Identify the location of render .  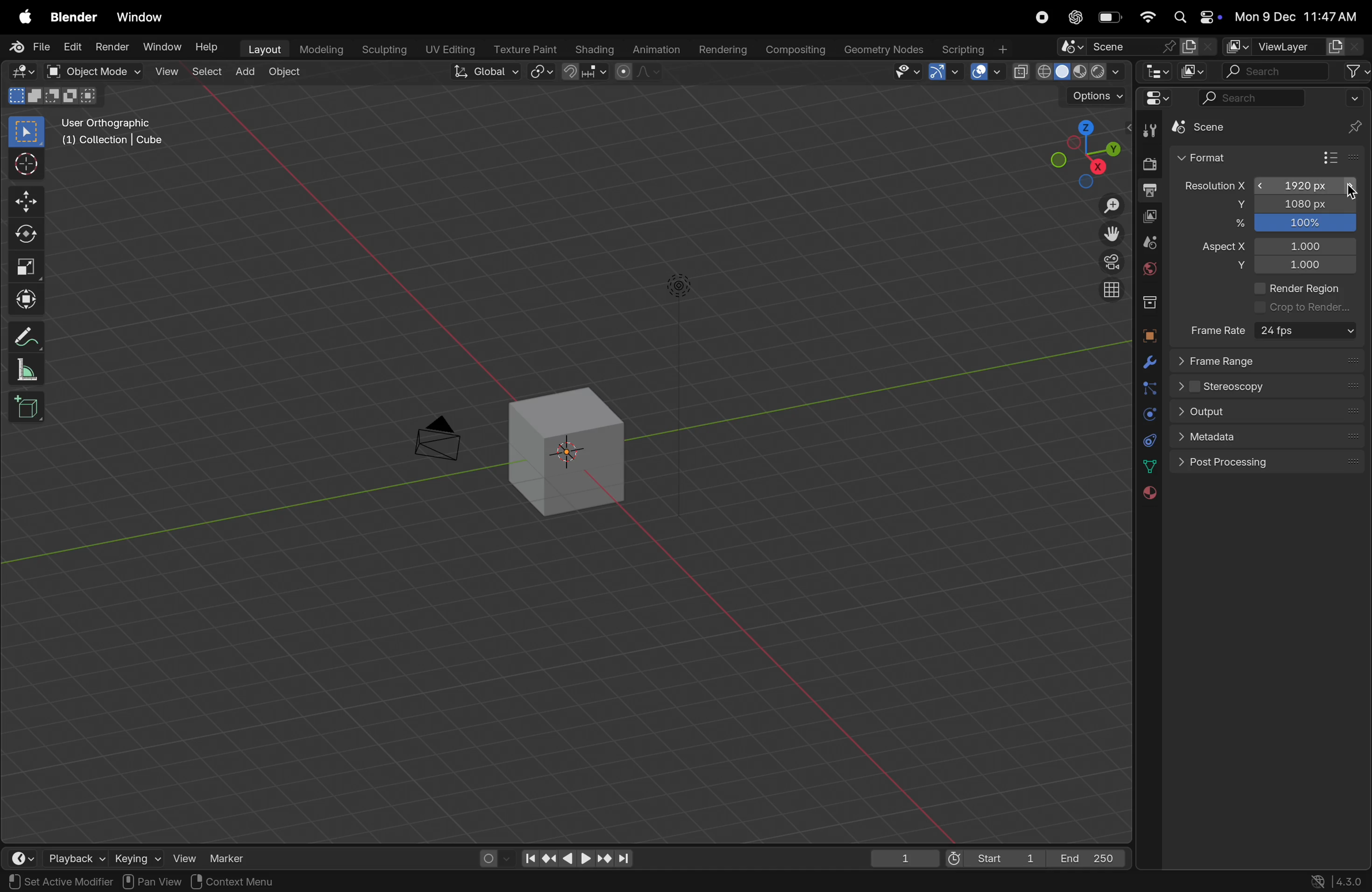
(1150, 164).